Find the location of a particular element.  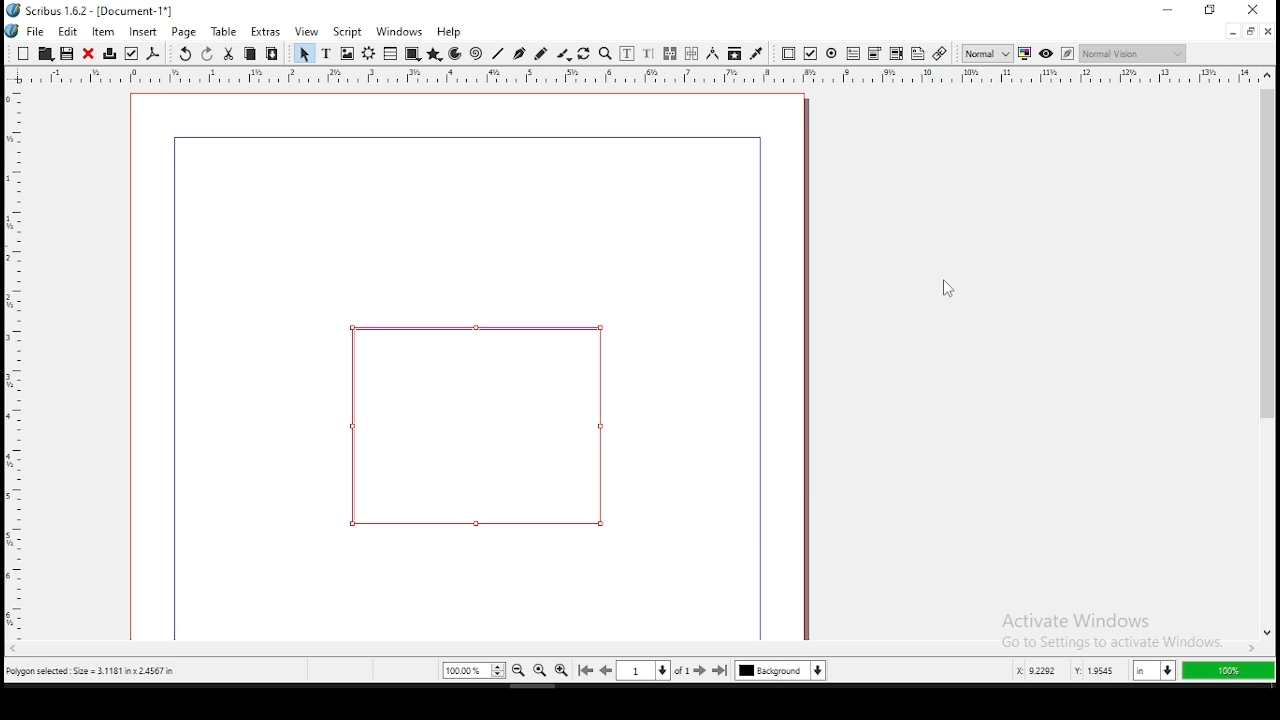

file is located at coordinates (26, 30).